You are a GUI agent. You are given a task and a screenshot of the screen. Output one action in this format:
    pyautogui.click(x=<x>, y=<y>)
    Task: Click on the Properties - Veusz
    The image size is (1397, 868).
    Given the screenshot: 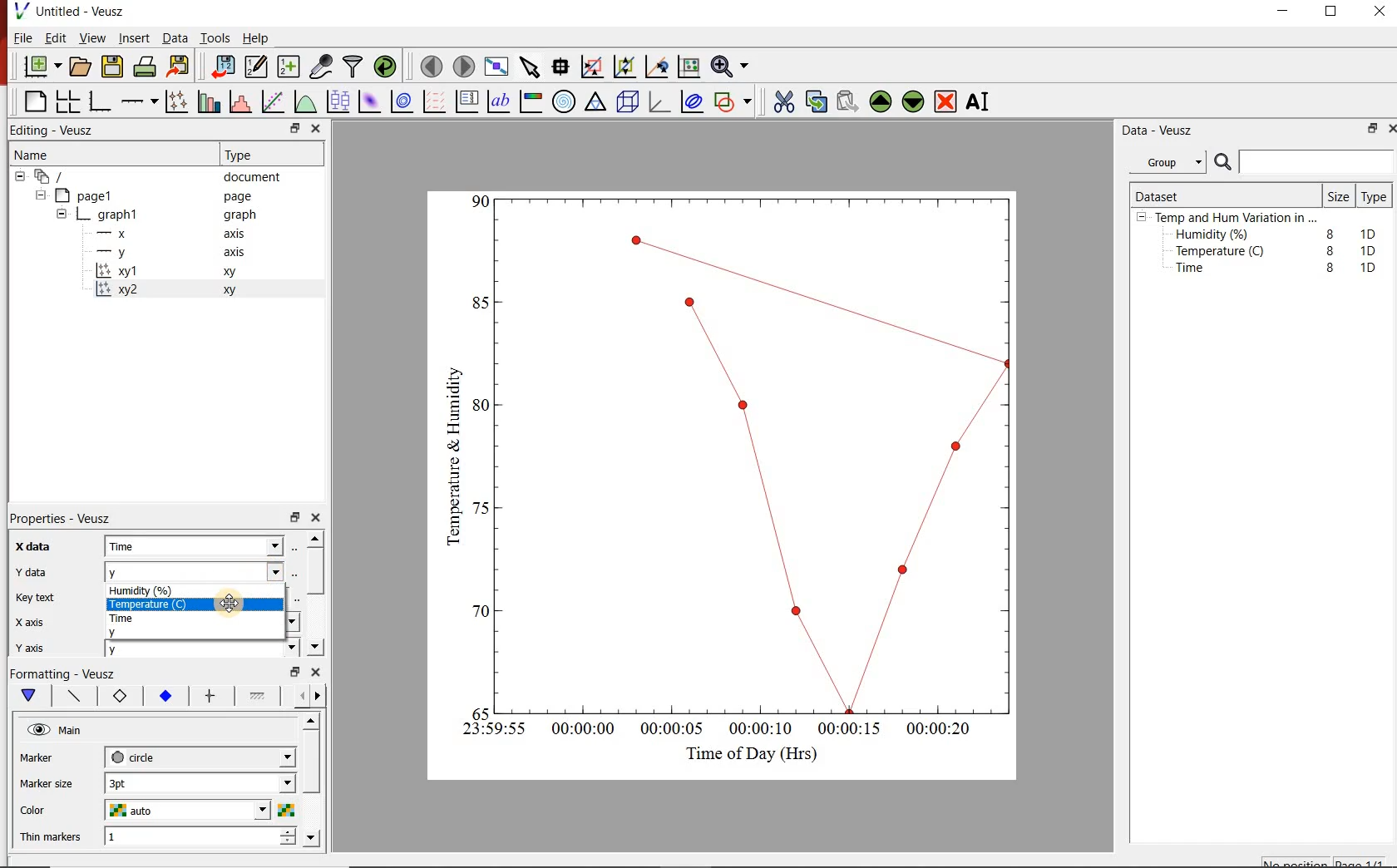 What is the action you would take?
    pyautogui.click(x=69, y=515)
    